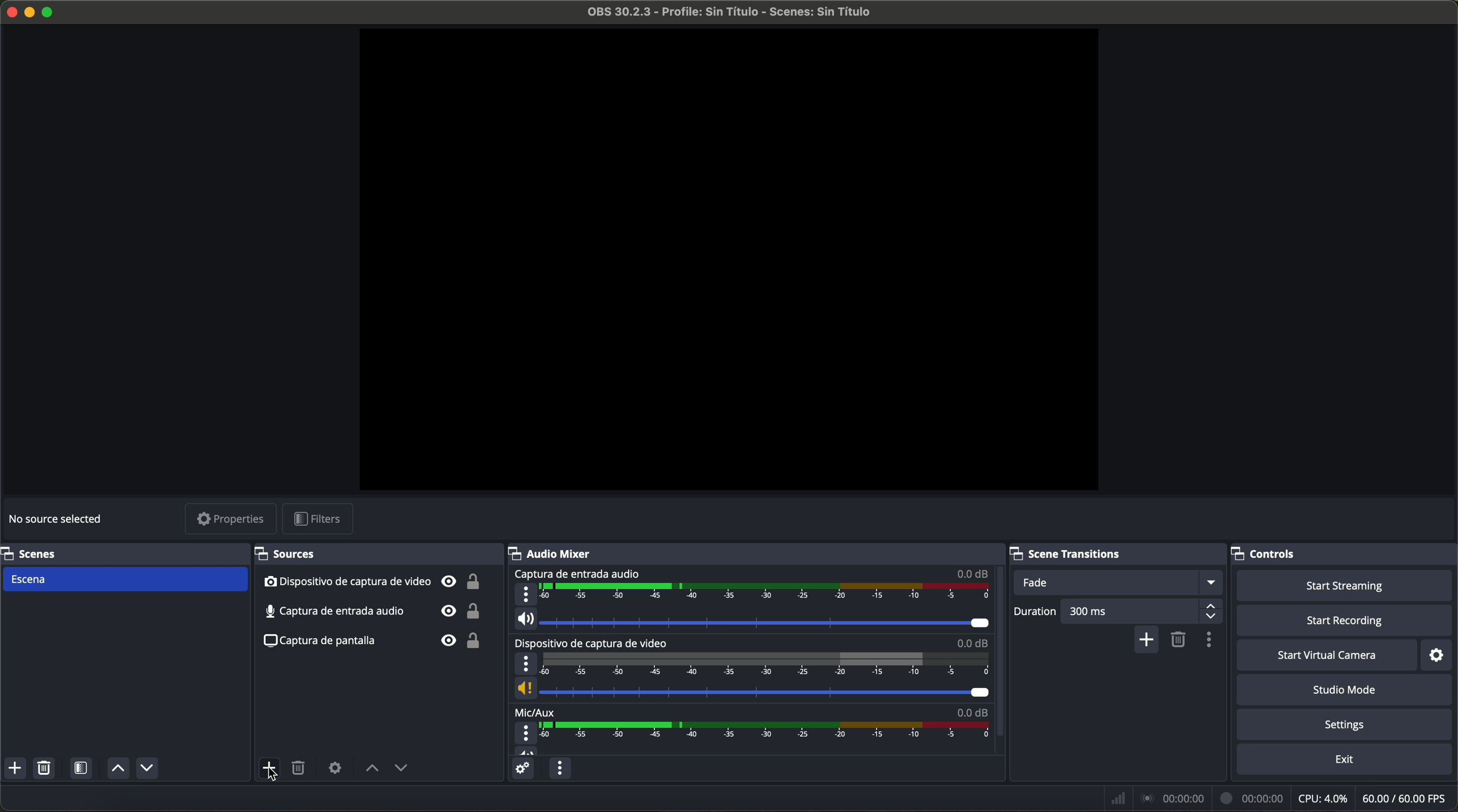 This screenshot has width=1458, height=812. I want to click on audio input capture, so click(373, 611).